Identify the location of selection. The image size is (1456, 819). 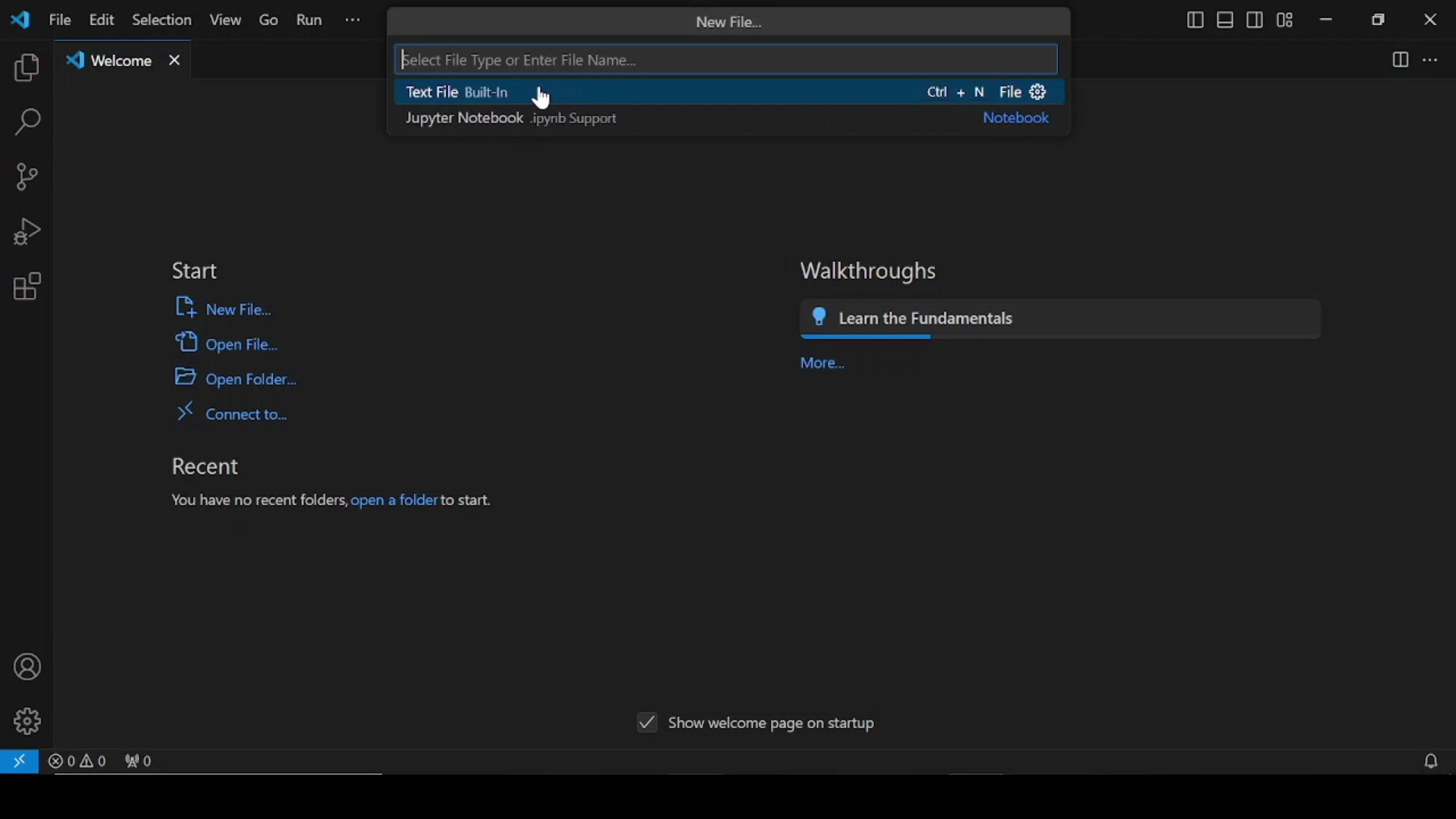
(161, 20).